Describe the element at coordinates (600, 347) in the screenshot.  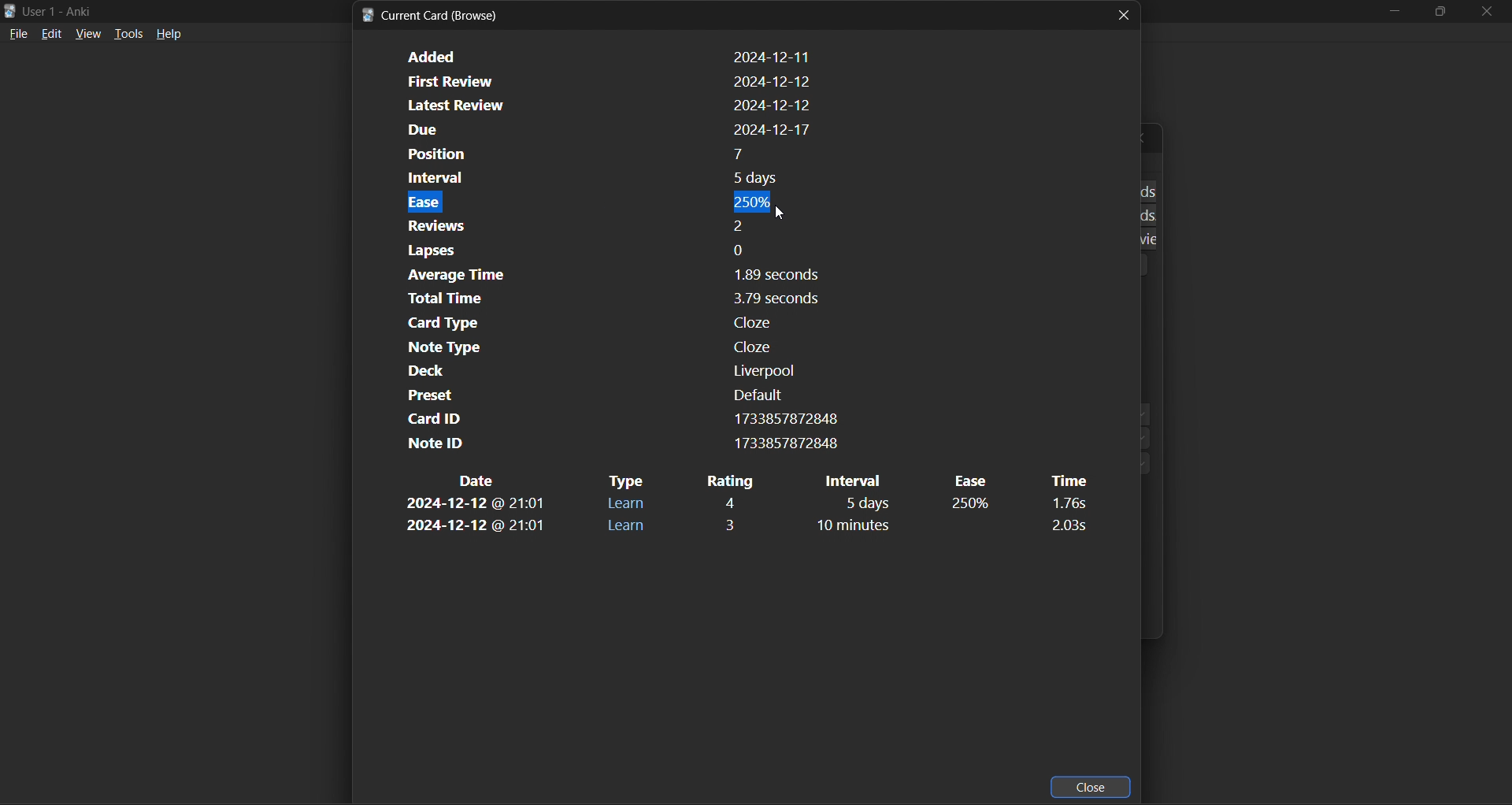
I see `note type` at that location.